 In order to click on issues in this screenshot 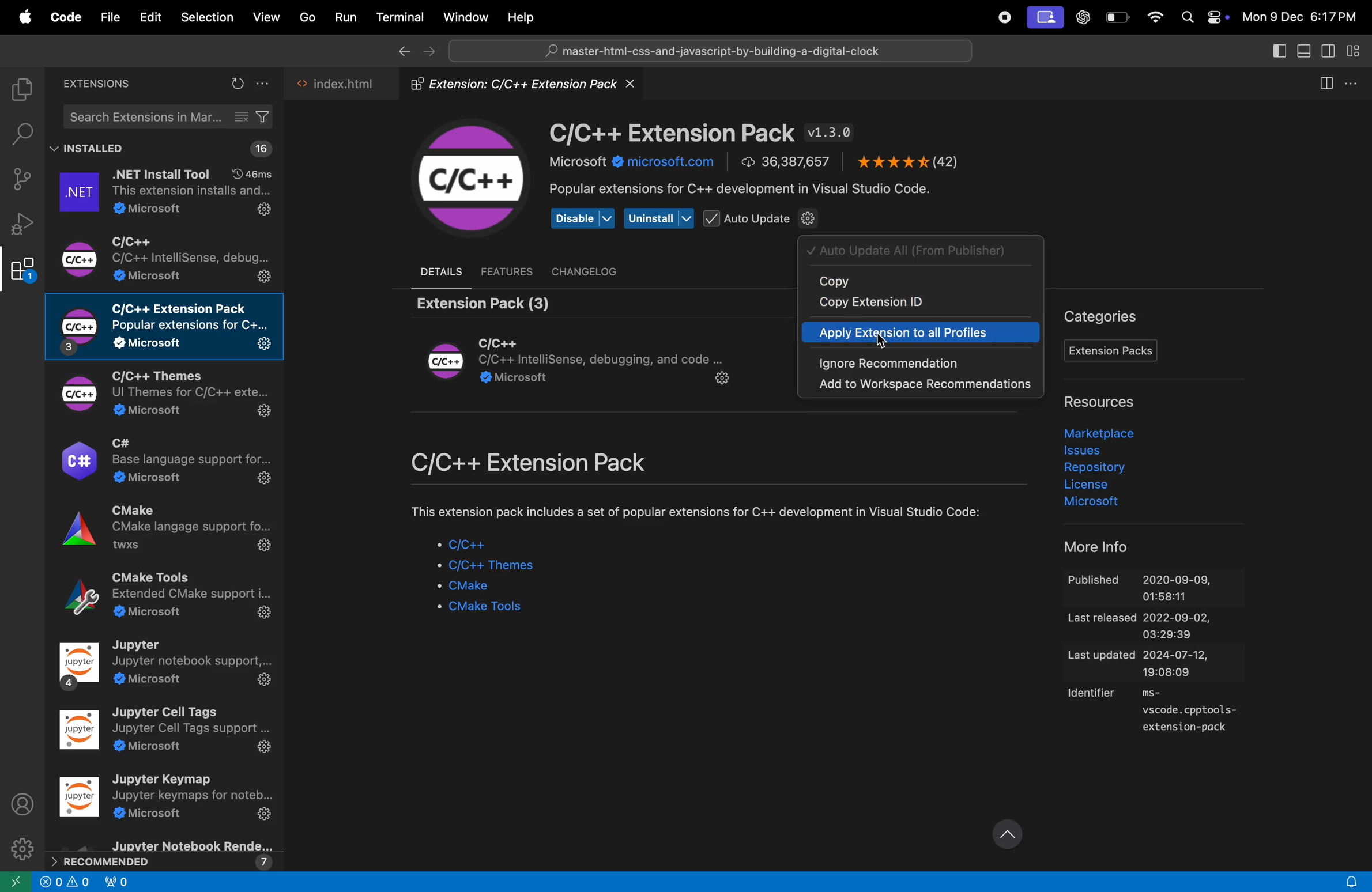, I will do `click(1090, 451)`.